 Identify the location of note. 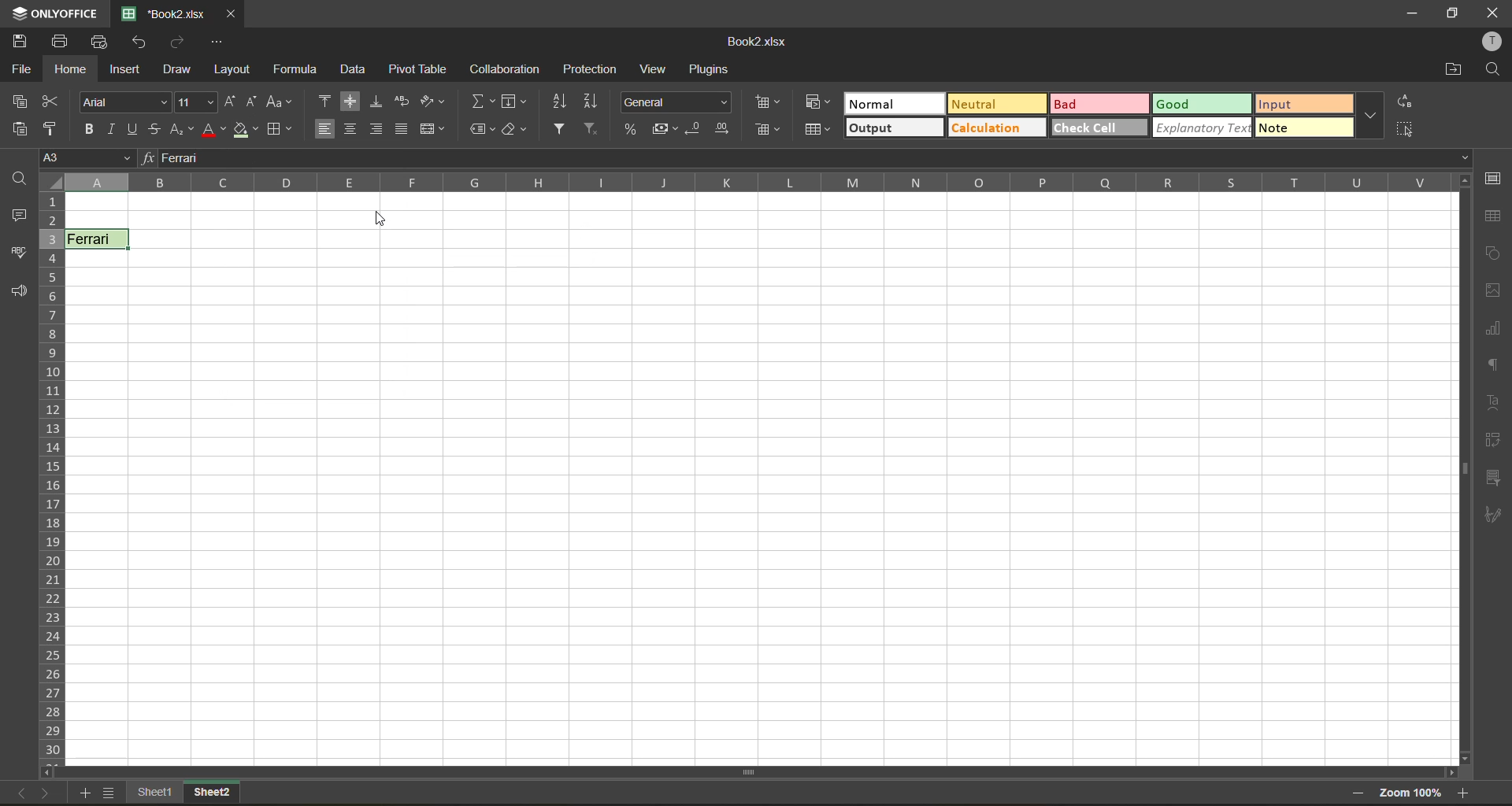
(1306, 128).